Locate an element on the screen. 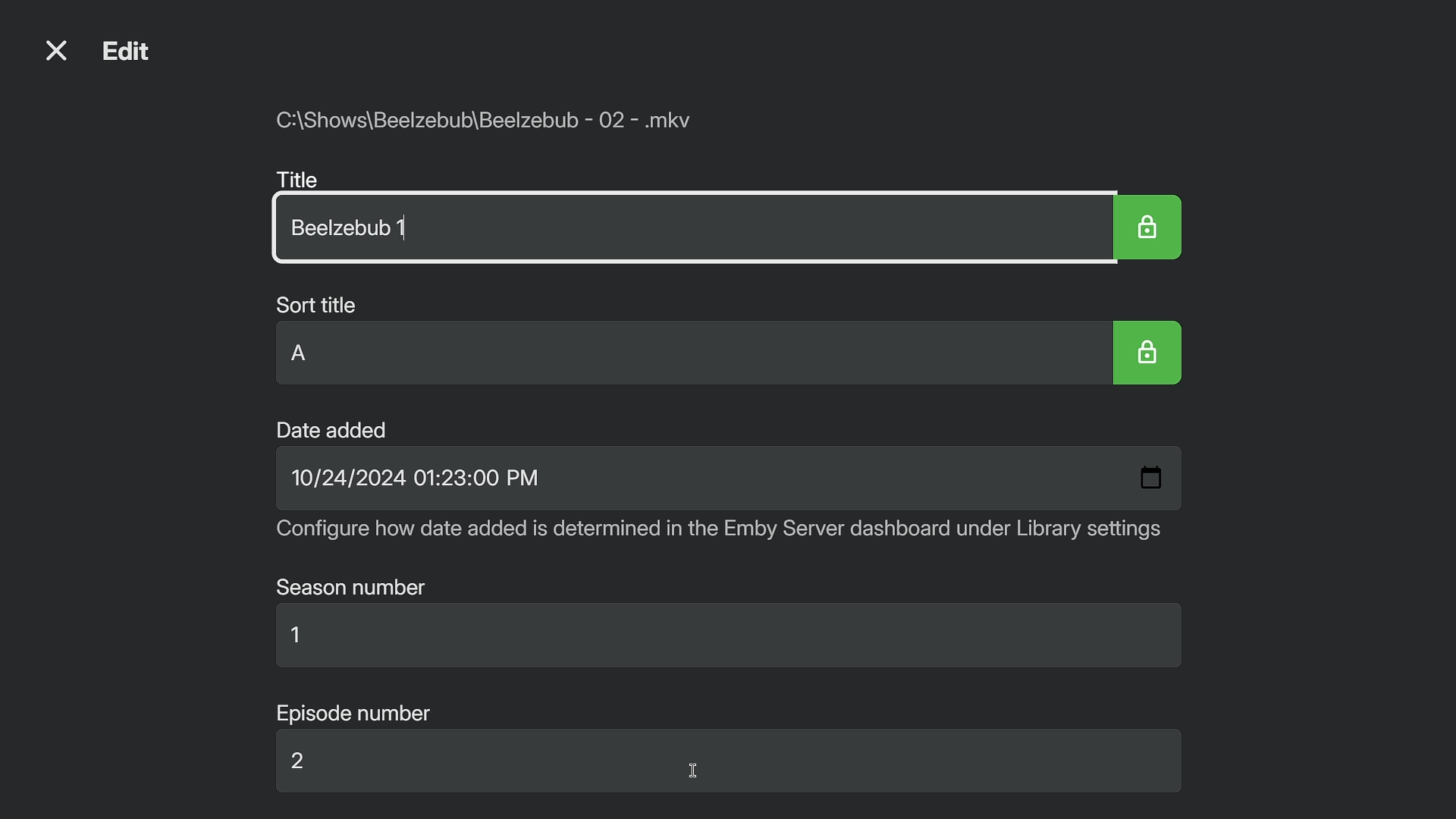 This screenshot has height=819, width=1456. 10/24/2024 01:23:00 PM is located at coordinates (444, 479).